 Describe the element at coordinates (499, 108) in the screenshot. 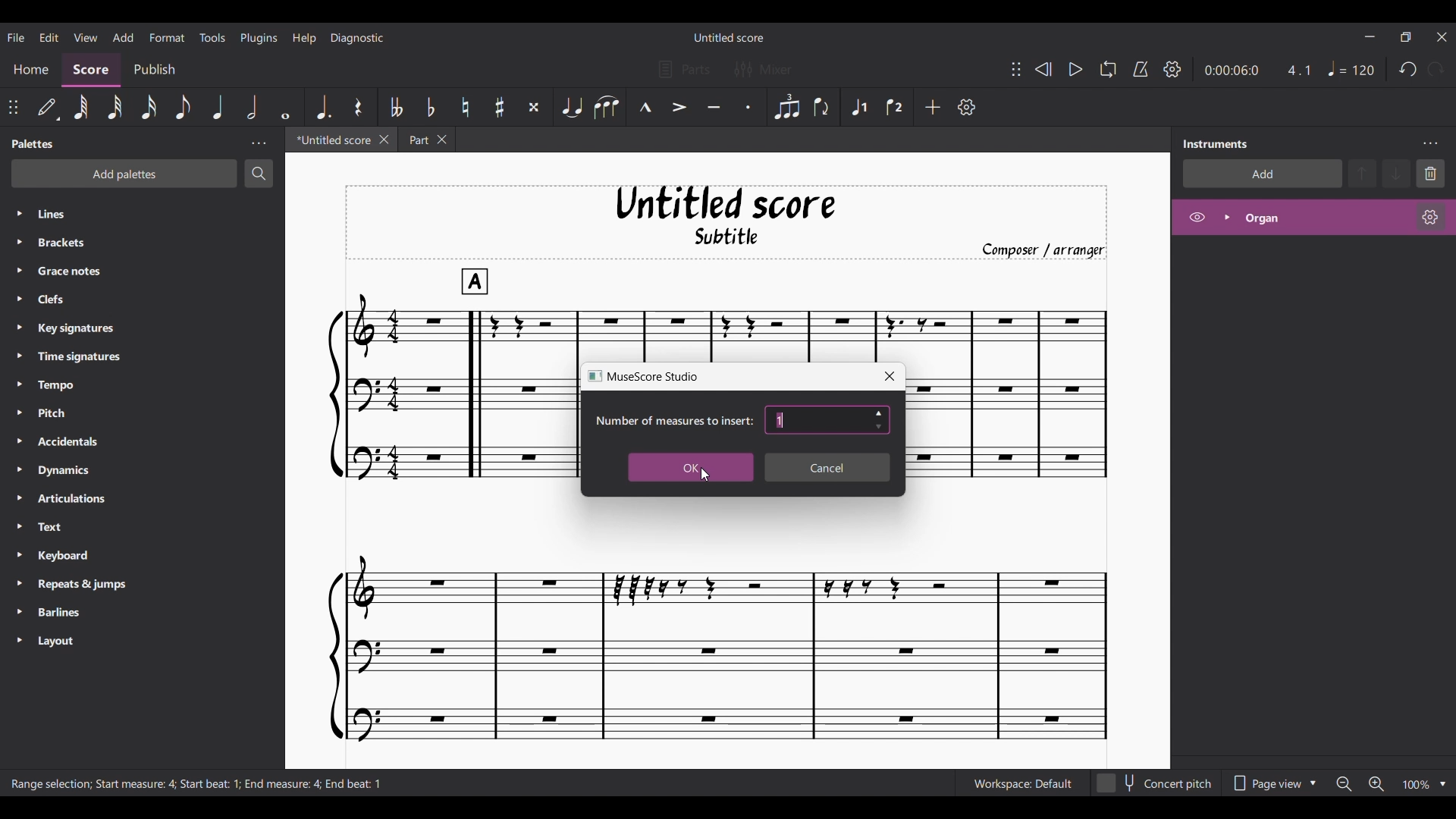

I see `Toggle sharp` at that location.